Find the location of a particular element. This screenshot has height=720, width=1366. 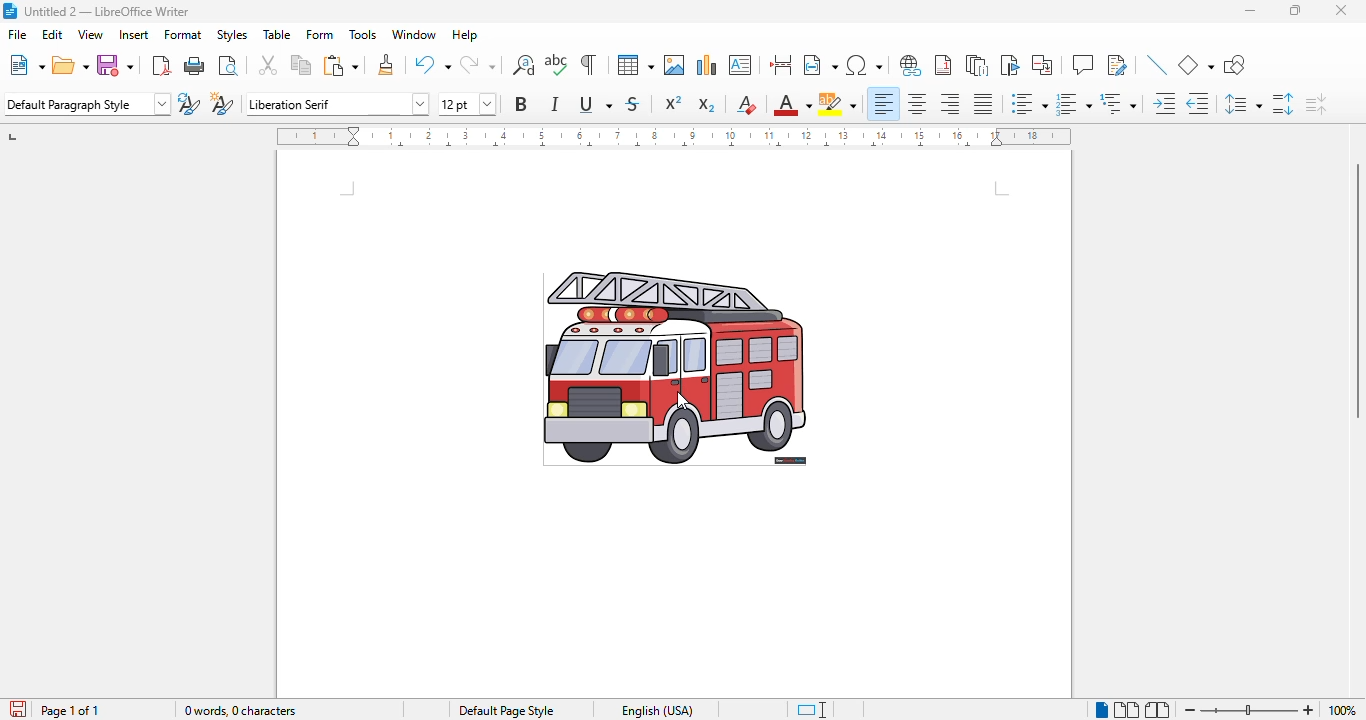

insert page break is located at coordinates (781, 65).